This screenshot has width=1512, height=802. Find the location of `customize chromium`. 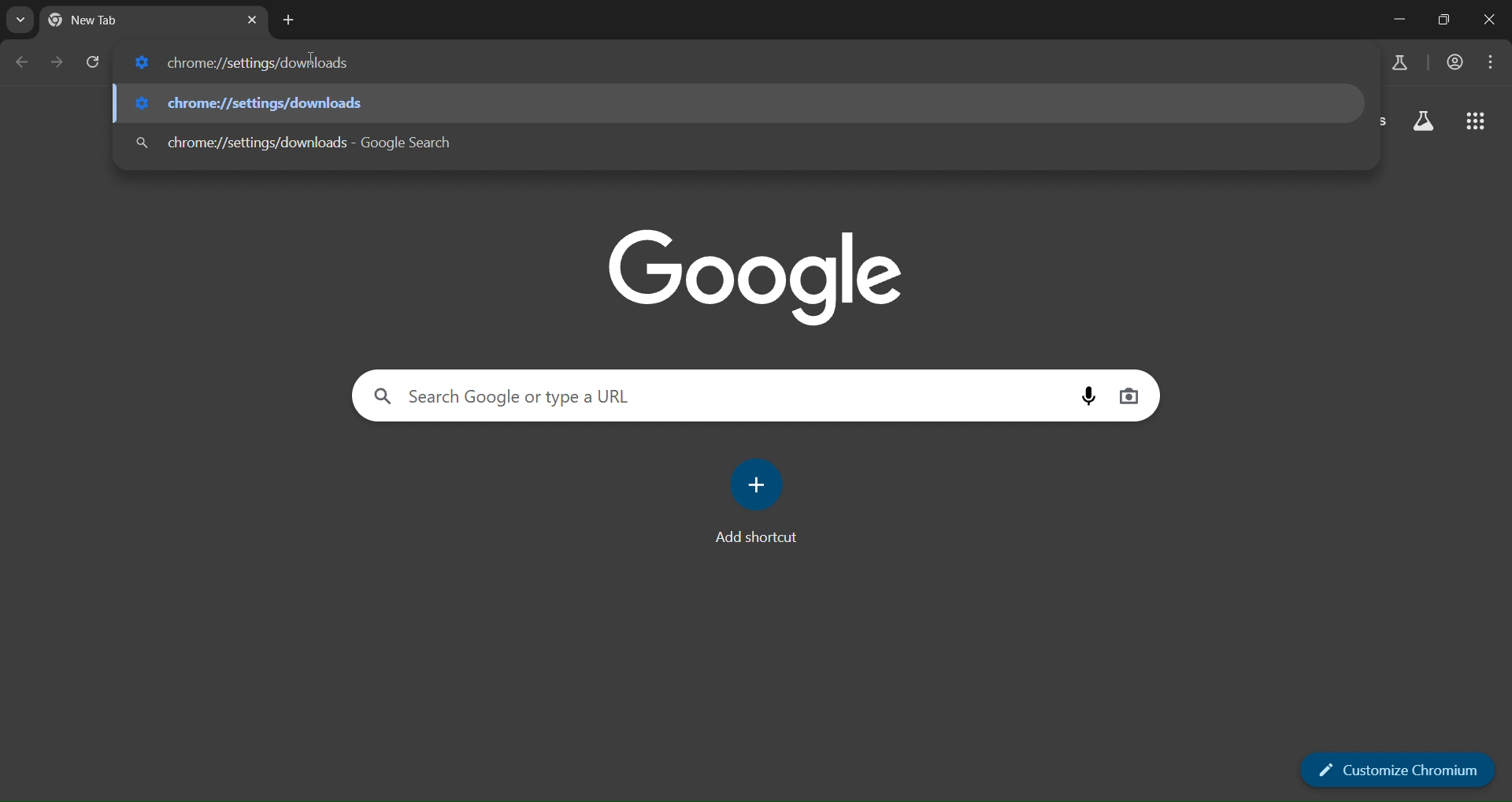

customize chromium is located at coordinates (1397, 770).